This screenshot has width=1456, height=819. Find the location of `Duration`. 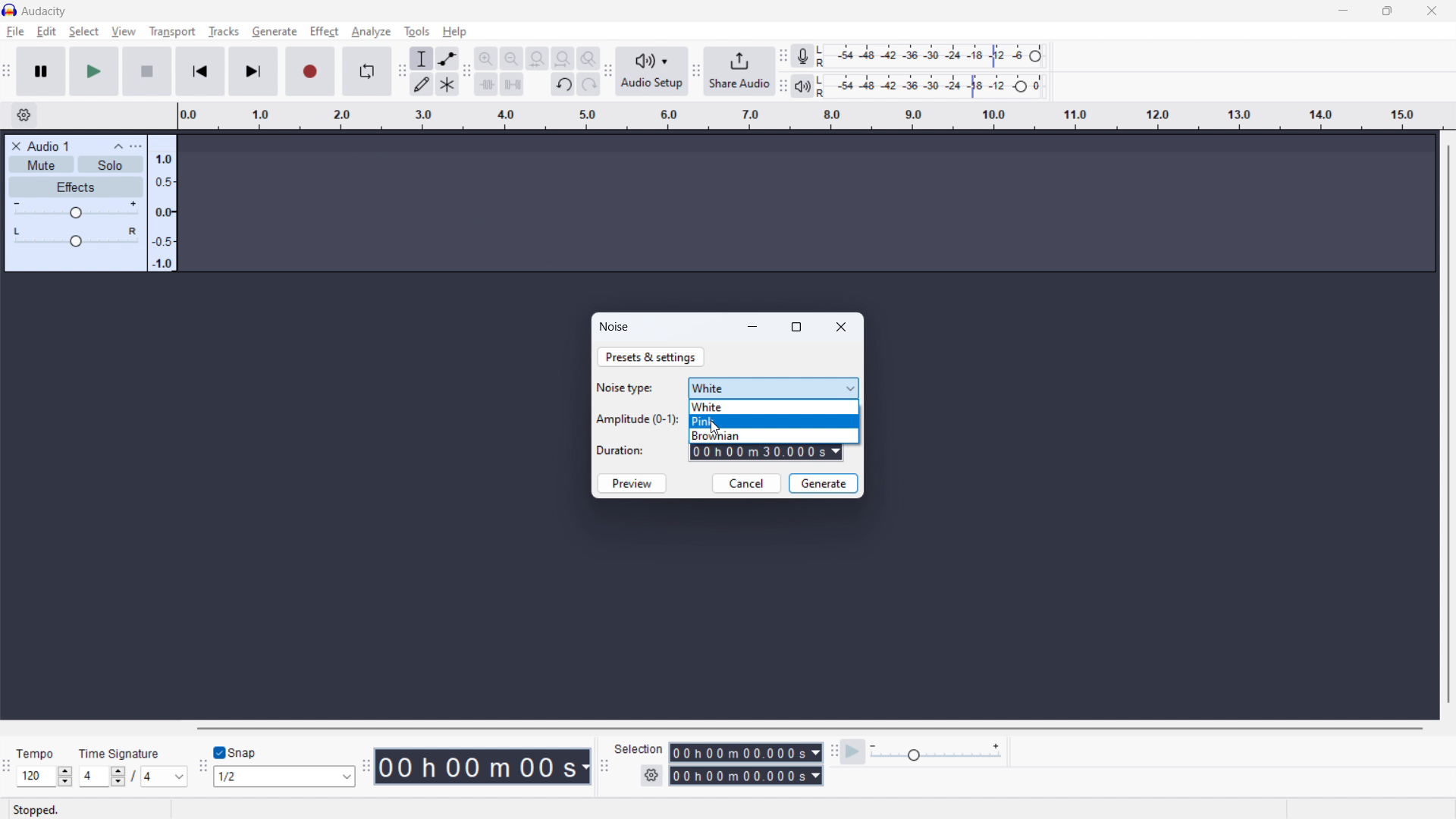

Duration is located at coordinates (623, 451).